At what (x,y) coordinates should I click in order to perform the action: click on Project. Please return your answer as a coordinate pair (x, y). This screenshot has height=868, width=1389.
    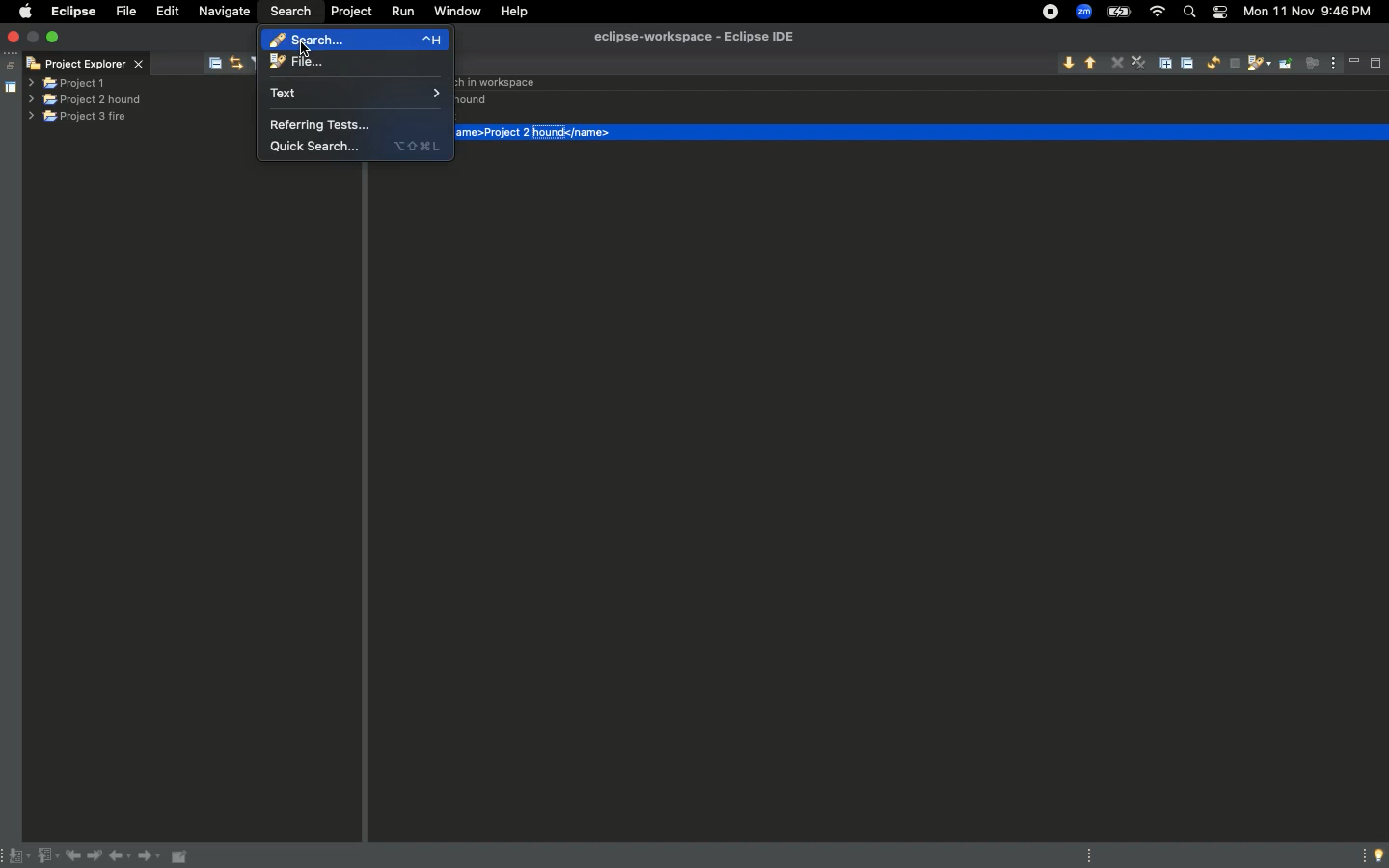
    Looking at the image, I should click on (355, 12).